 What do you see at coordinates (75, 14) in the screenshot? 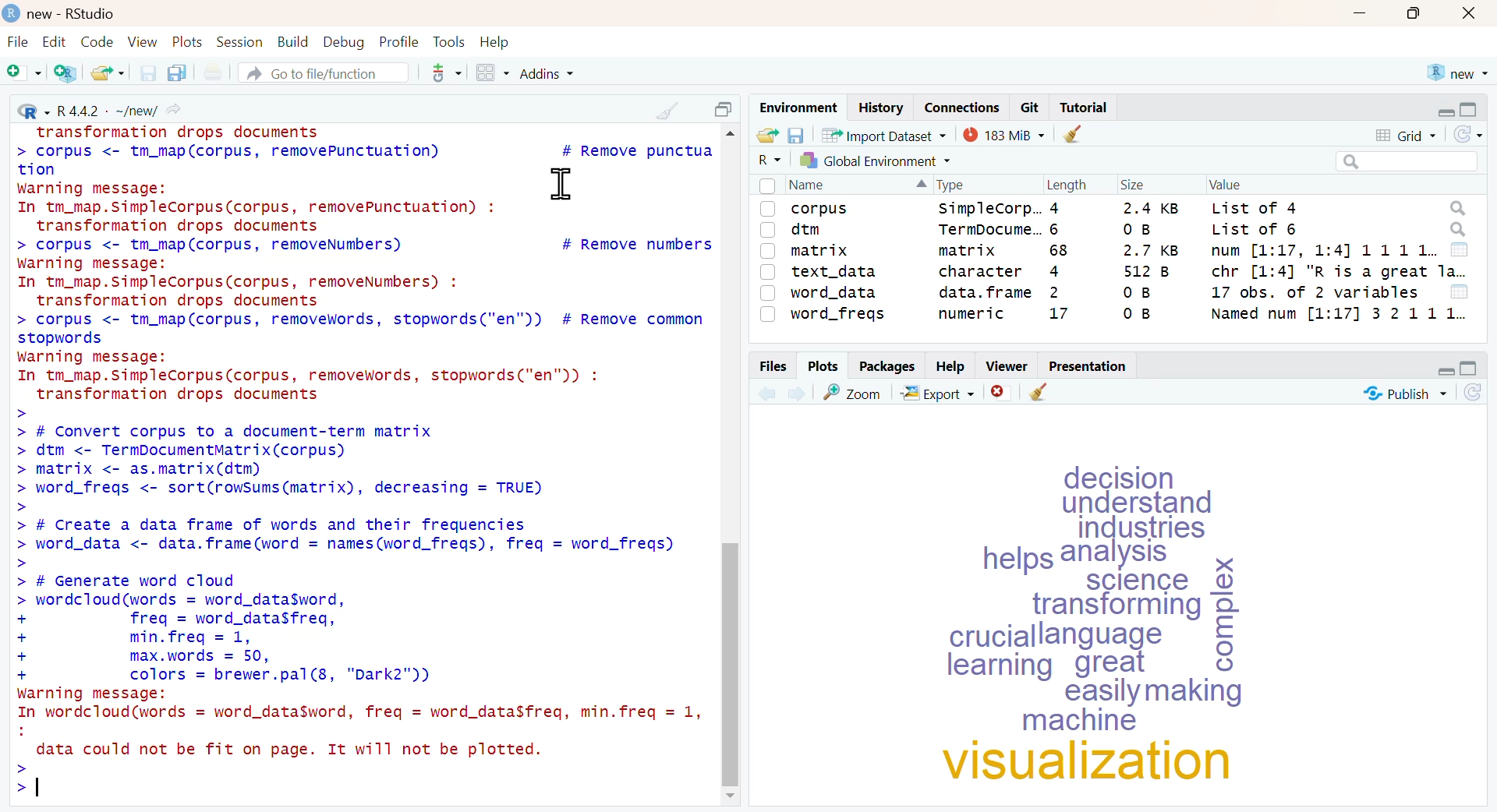
I see `new - RStudio` at bounding box center [75, 14].